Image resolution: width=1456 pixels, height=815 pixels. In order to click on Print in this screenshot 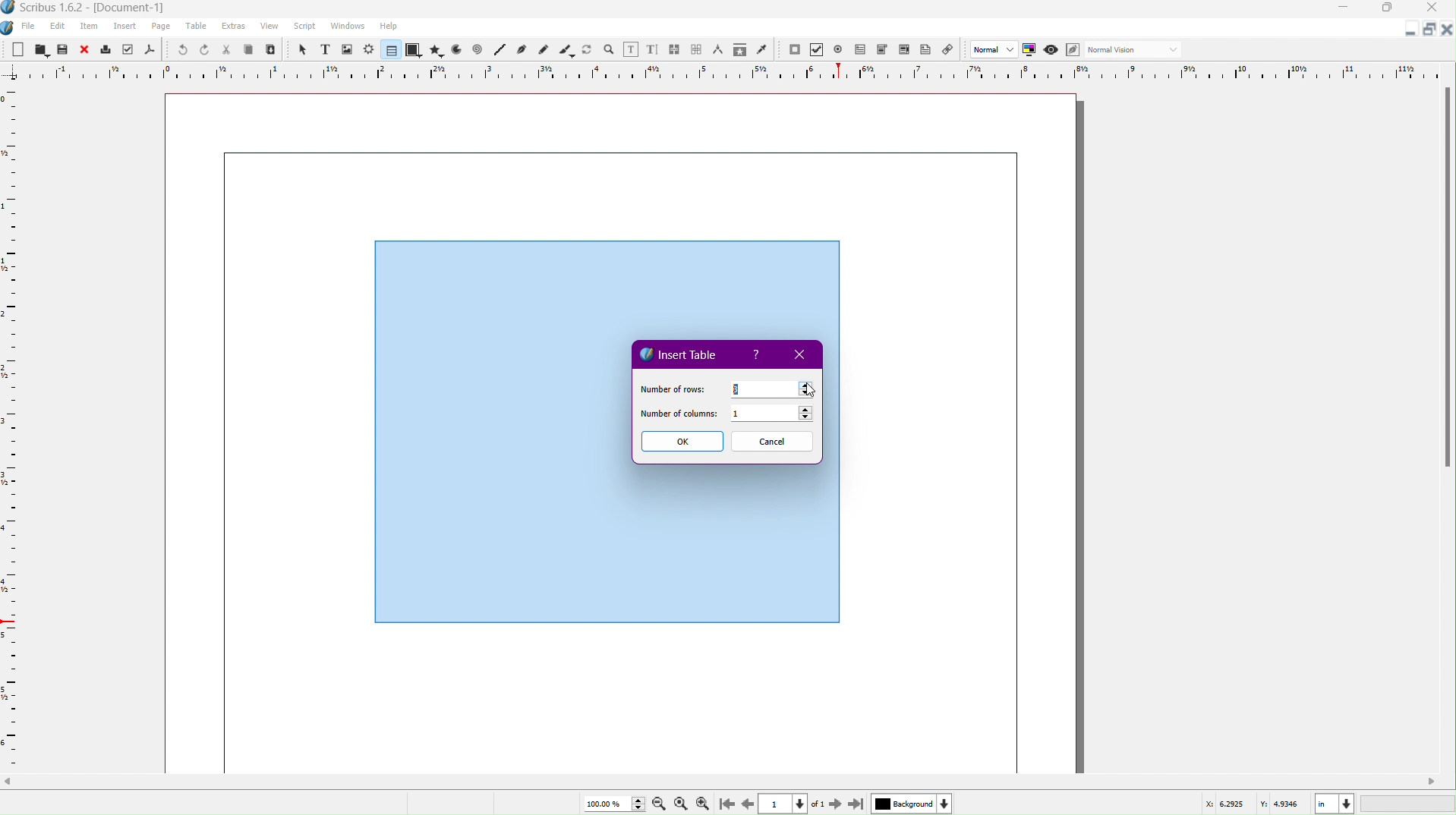, I will do `click(106, 49)`.